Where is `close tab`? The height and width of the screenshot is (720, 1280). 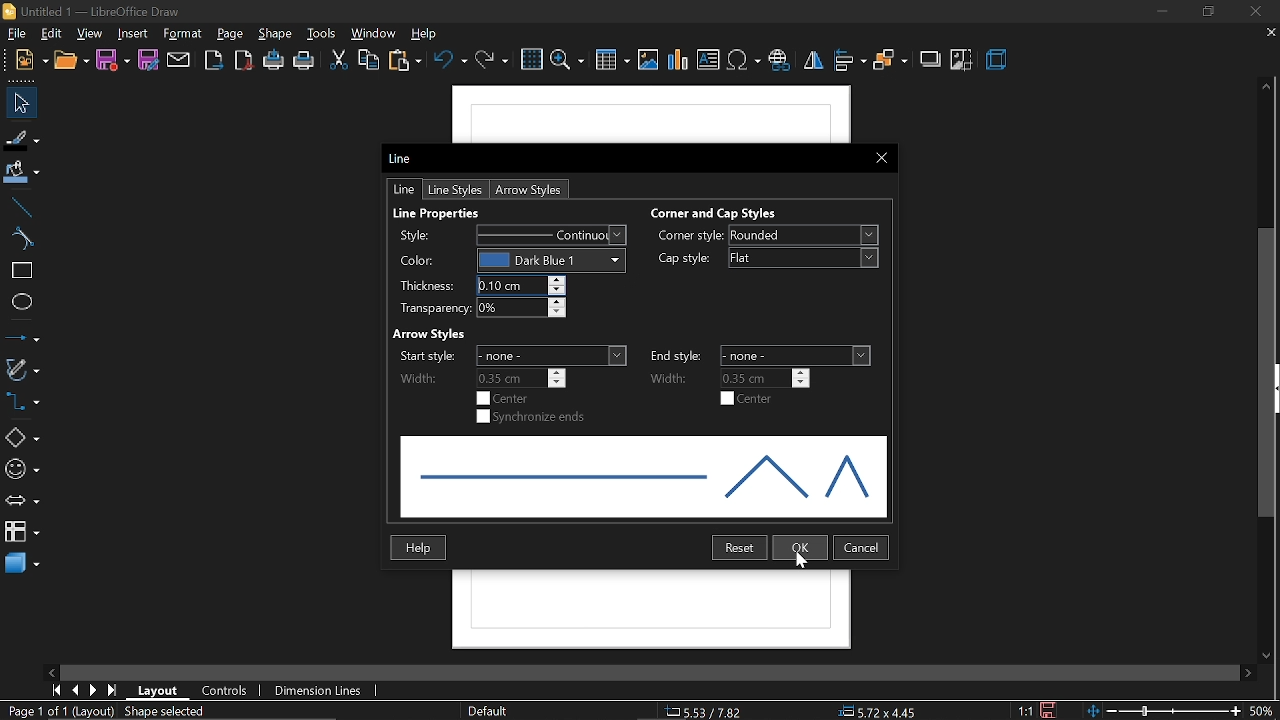
close tab is located at coordinates (1270, 34).